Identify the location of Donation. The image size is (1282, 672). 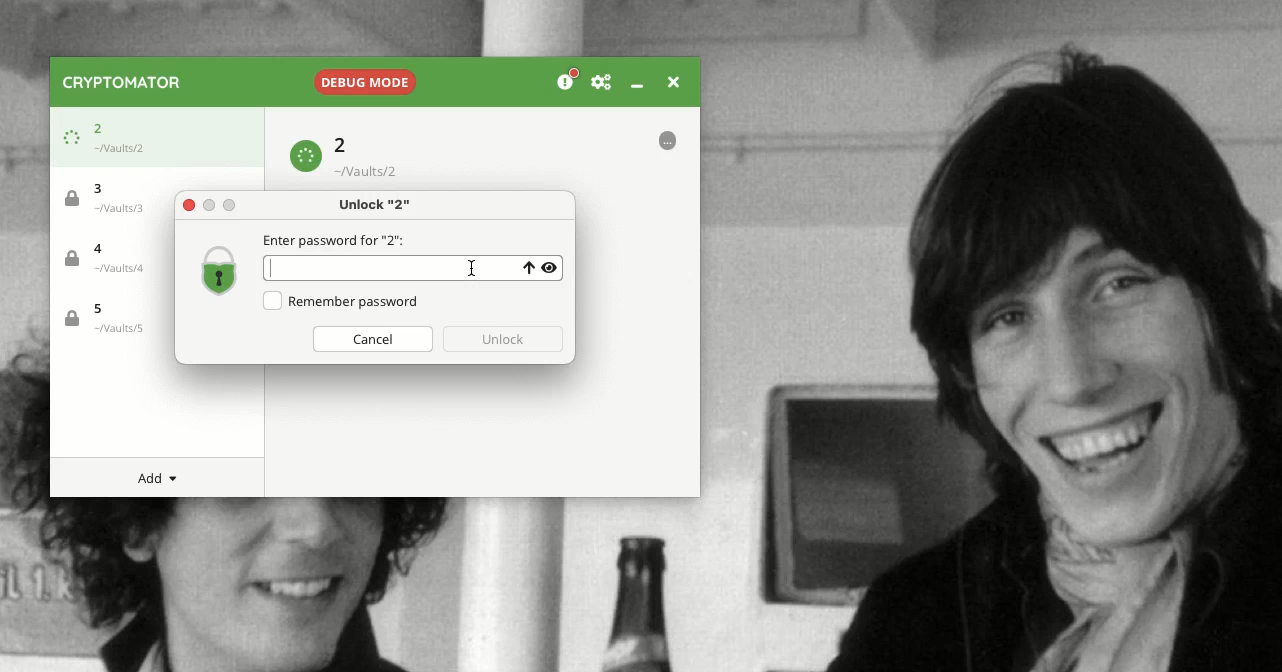
(568, 81).